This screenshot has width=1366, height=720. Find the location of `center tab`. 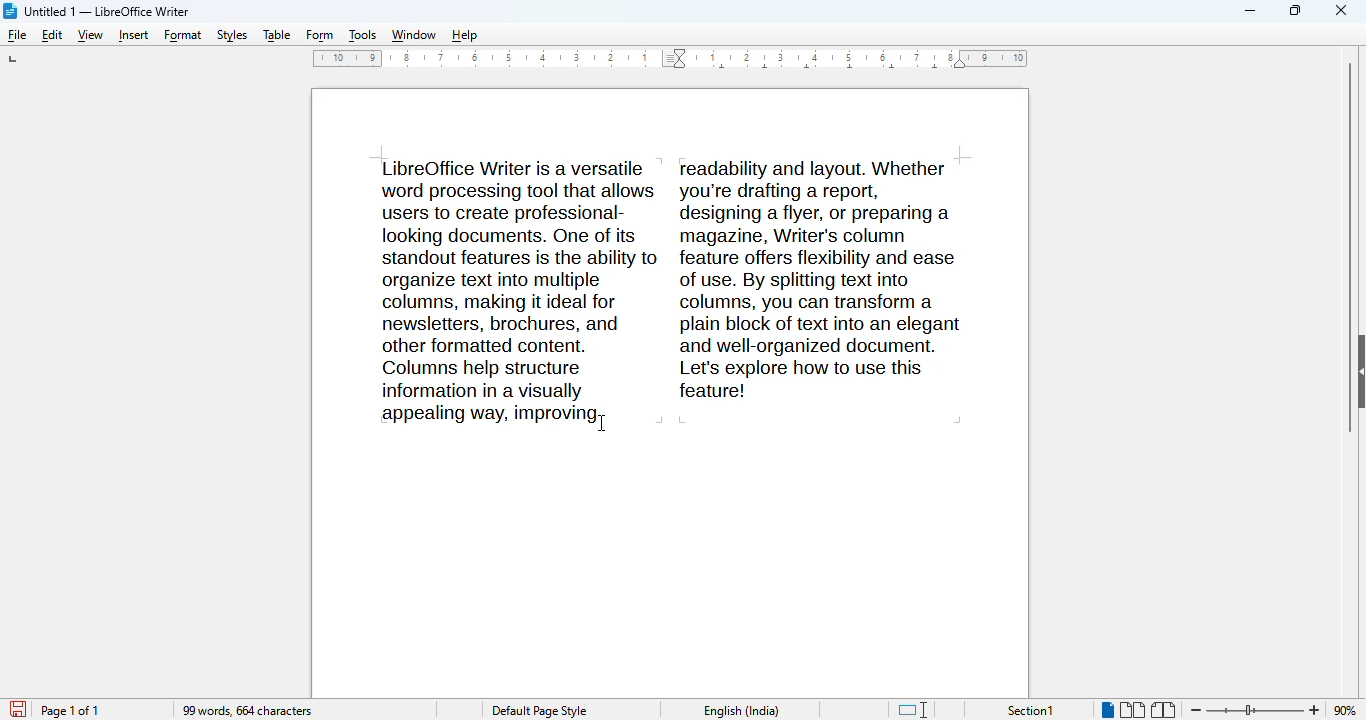

center tab is located at coordinates (935, 68).